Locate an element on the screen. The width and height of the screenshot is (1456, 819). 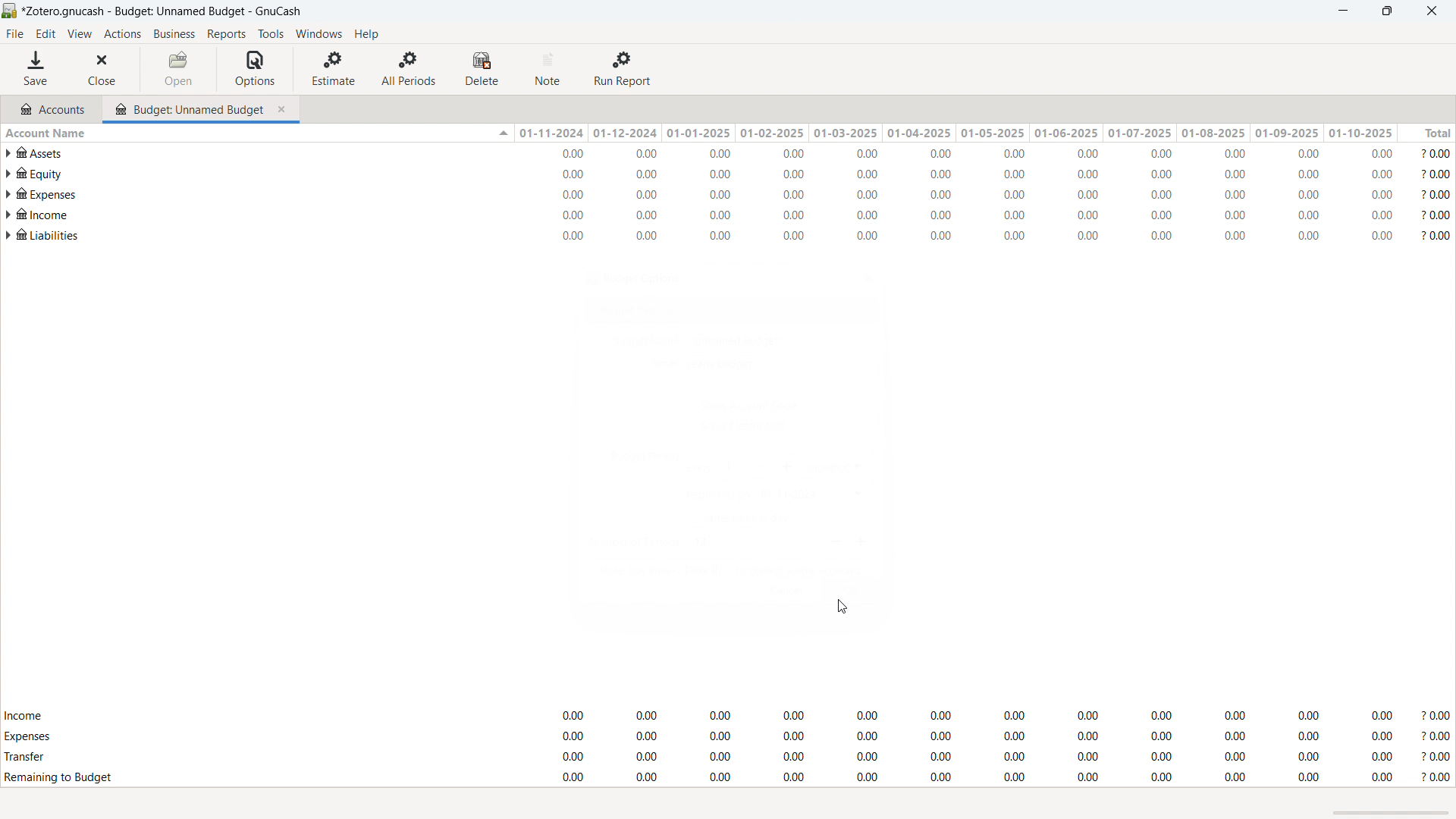
01-07-2025 is located at coordinates (1140, 133).